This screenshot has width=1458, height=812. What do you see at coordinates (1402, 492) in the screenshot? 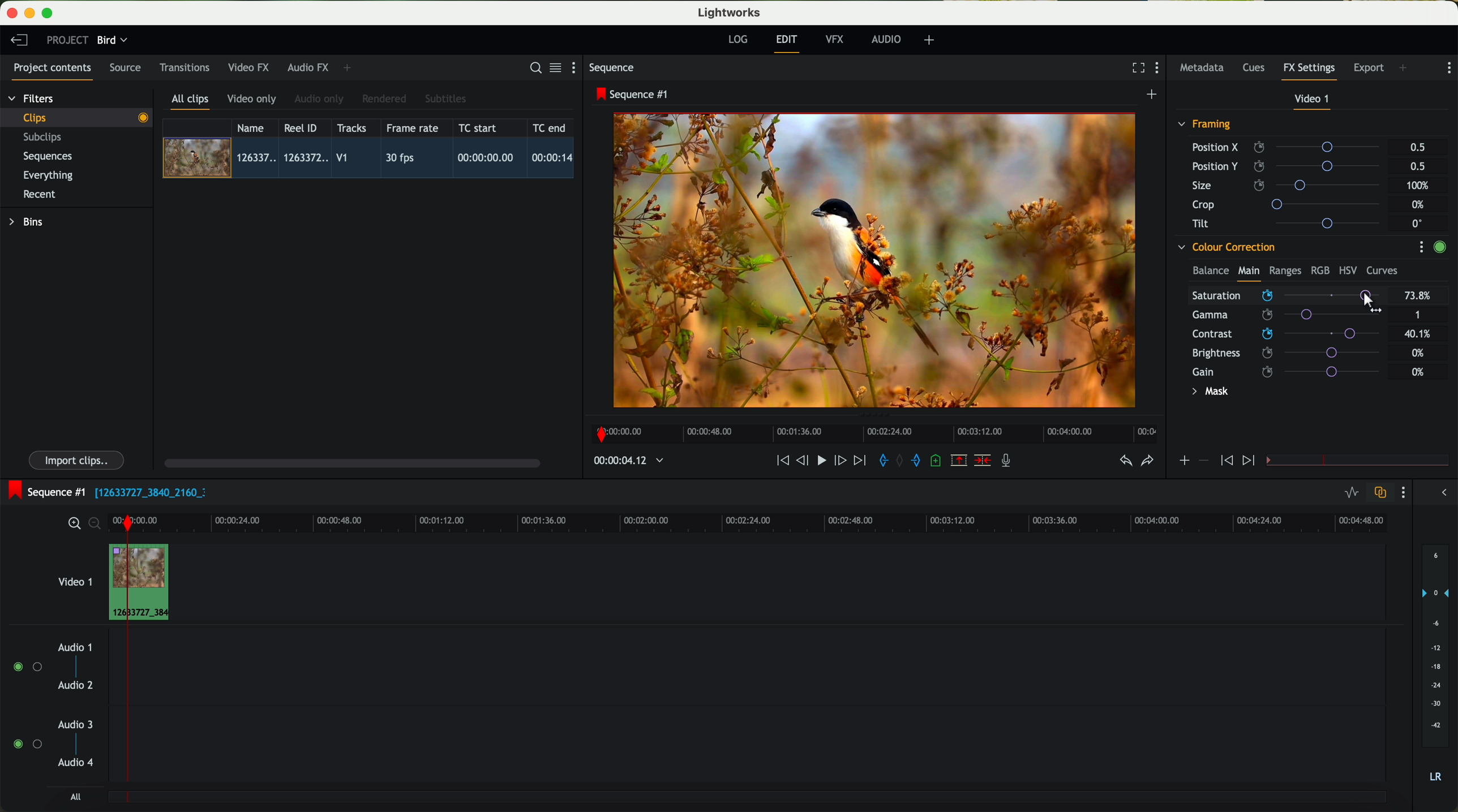
I see `show settings menu` at bounding box center [1402, 492].